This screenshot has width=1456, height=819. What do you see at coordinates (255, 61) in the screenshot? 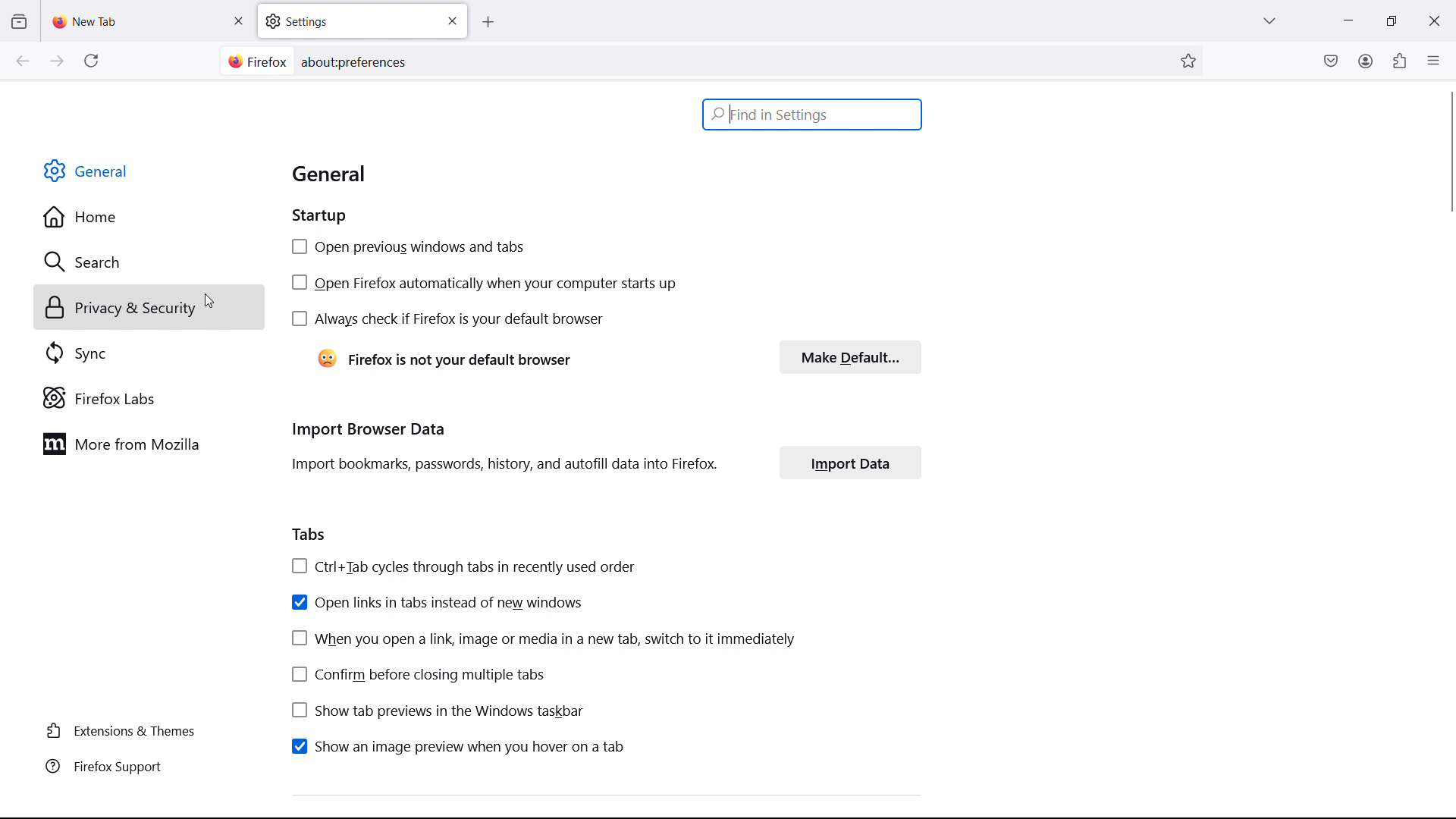
I see `site information` at bounding box center [255, 61].